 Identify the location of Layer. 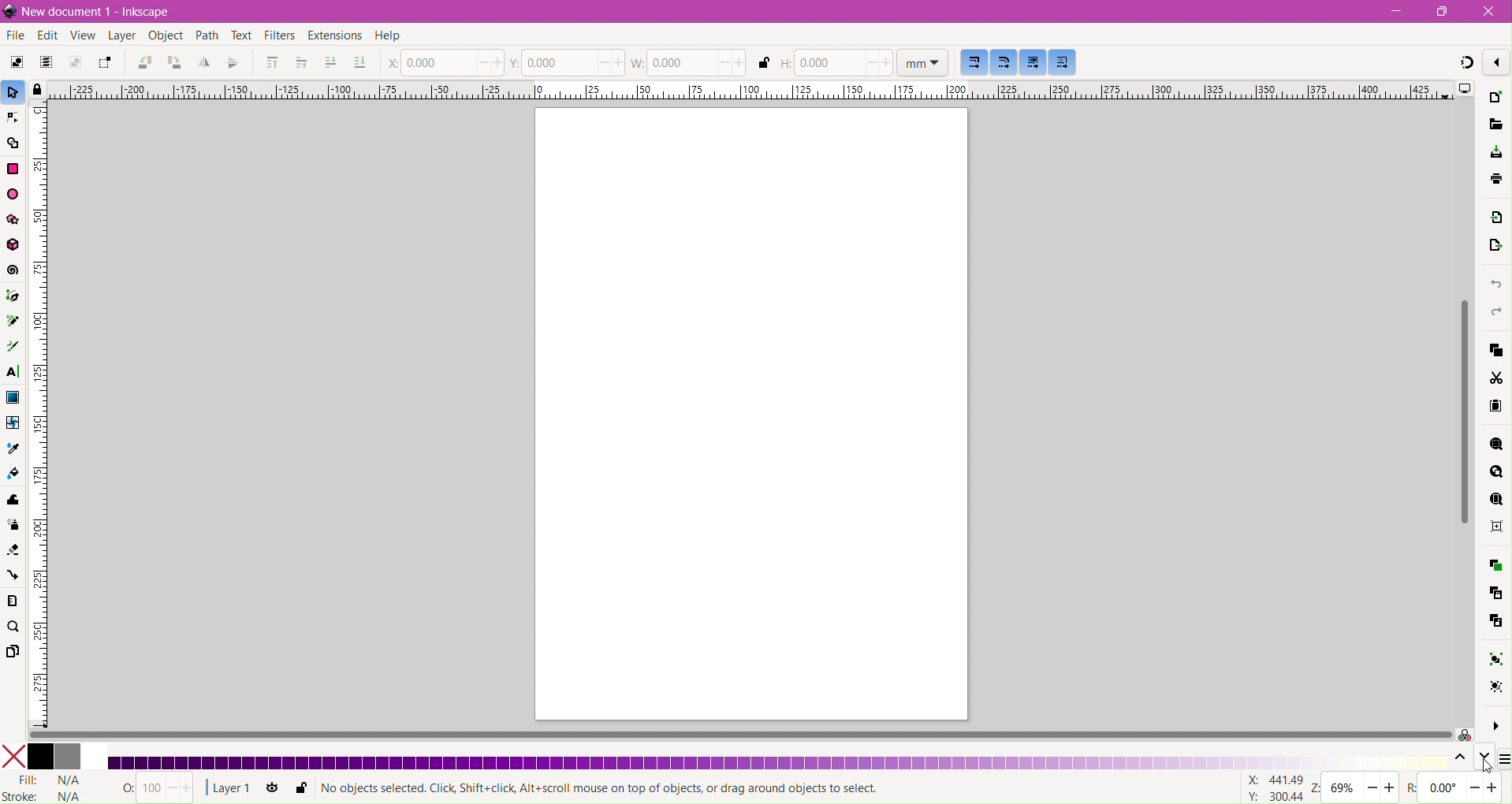
(121, 36).